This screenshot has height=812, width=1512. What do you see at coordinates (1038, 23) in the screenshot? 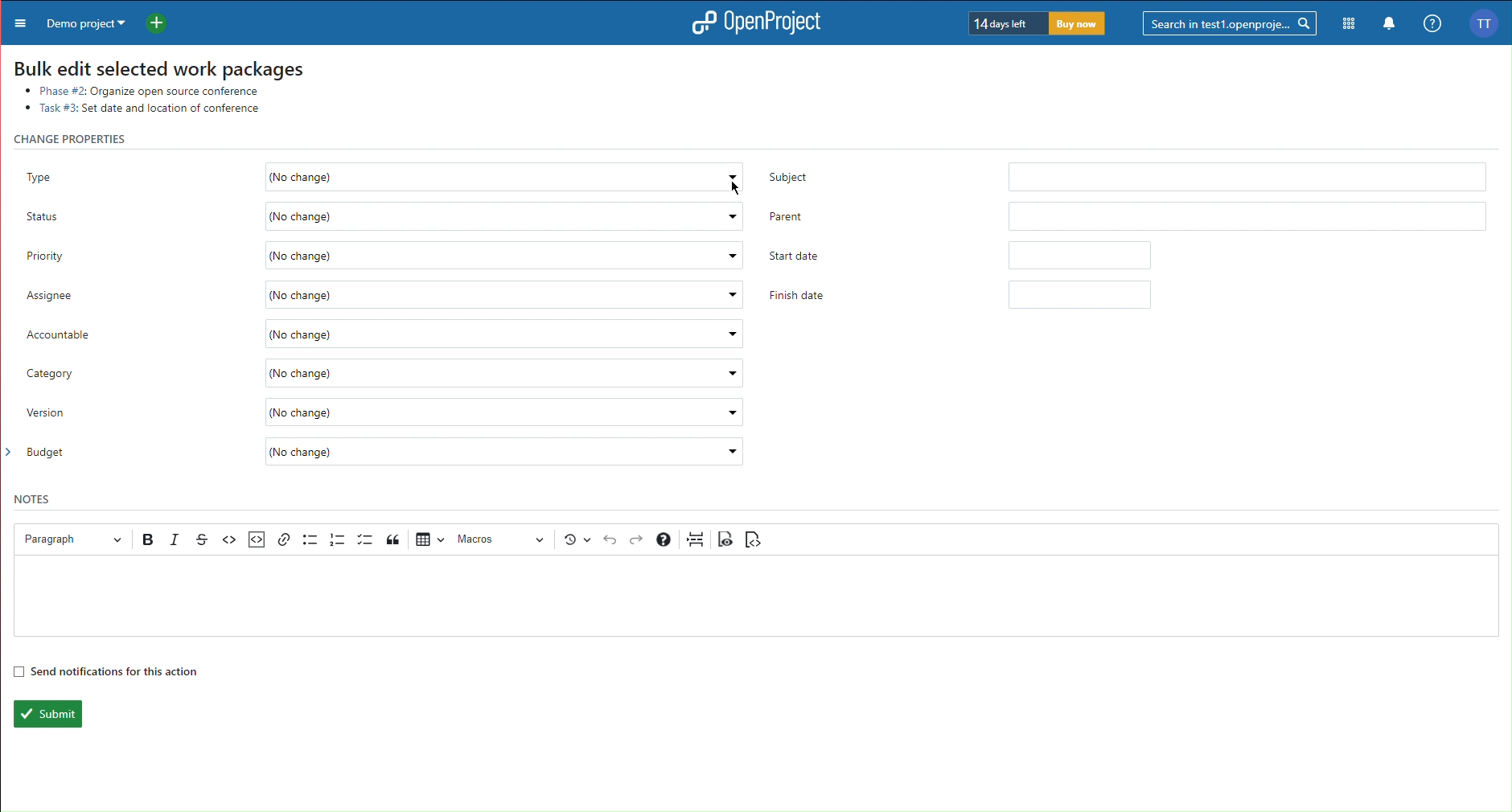
I see `Trial timer` at bounding box center [1038, 23].